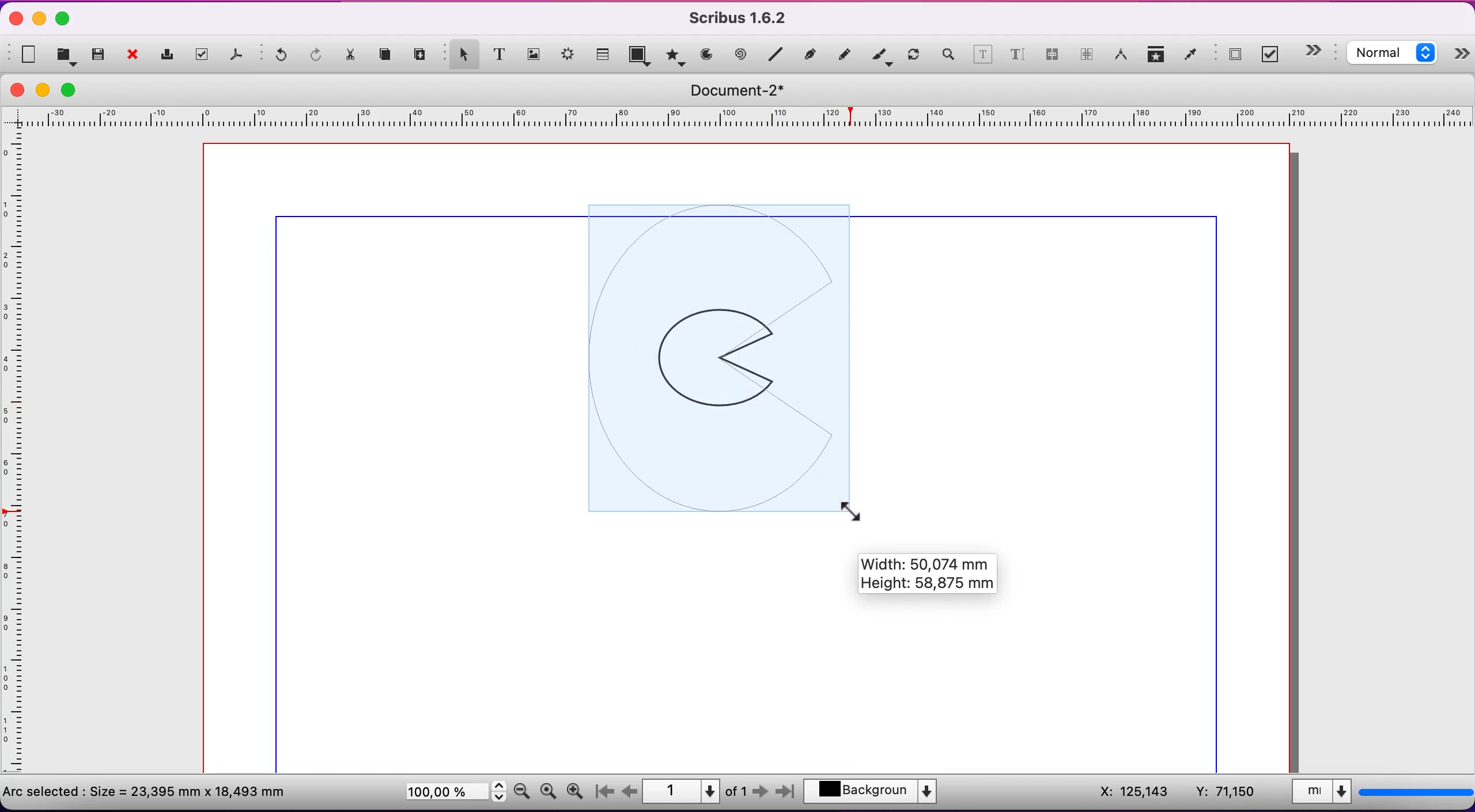  I want to click on eye dropper, so click(1191, 56).